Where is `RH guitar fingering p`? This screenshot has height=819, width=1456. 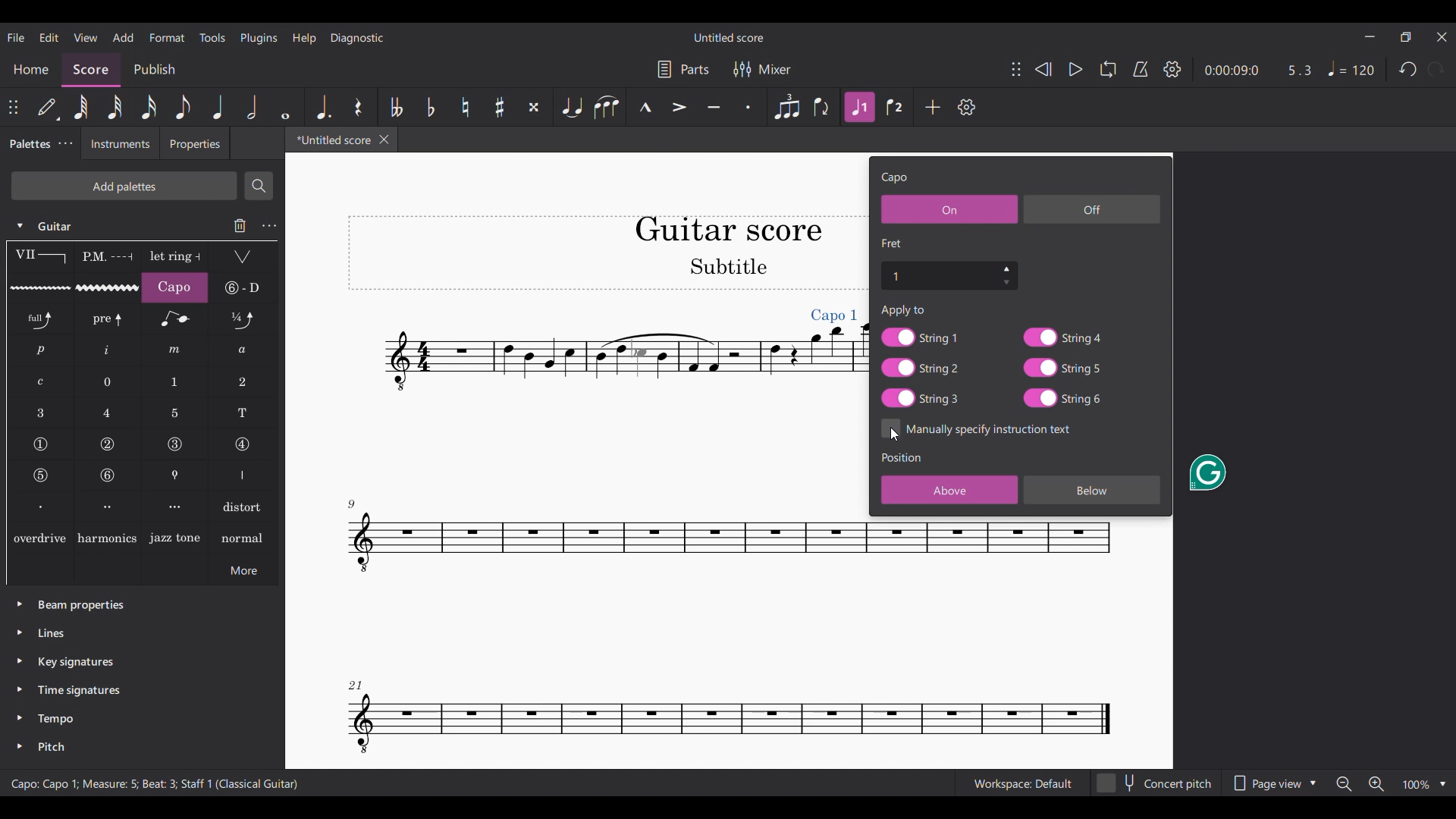 RH guitar fingering p is located at coordinates (41, 350).